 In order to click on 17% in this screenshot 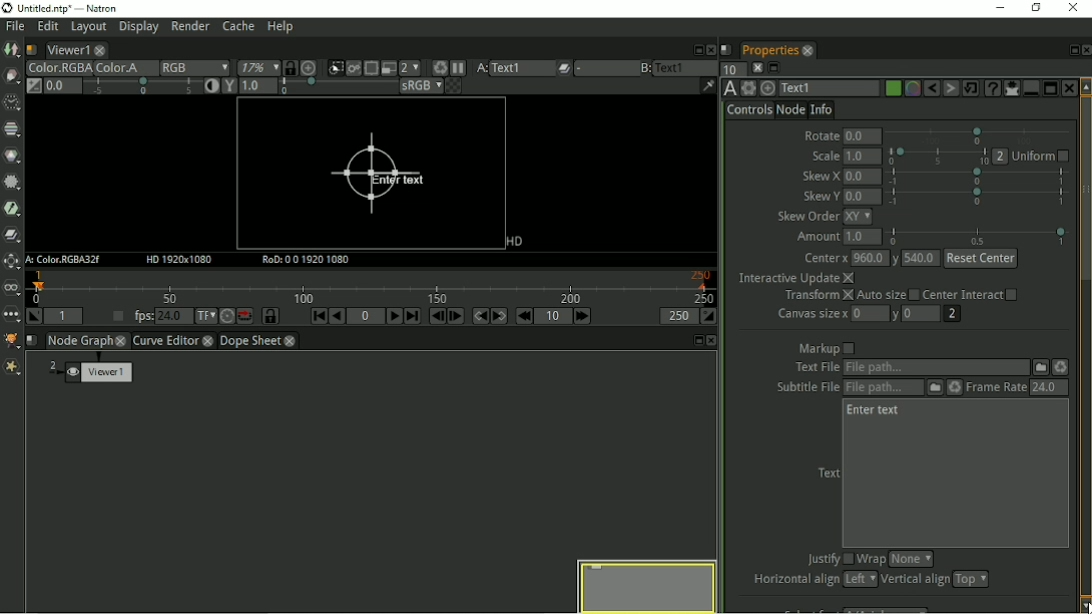, I will do `click(257, 67)`.